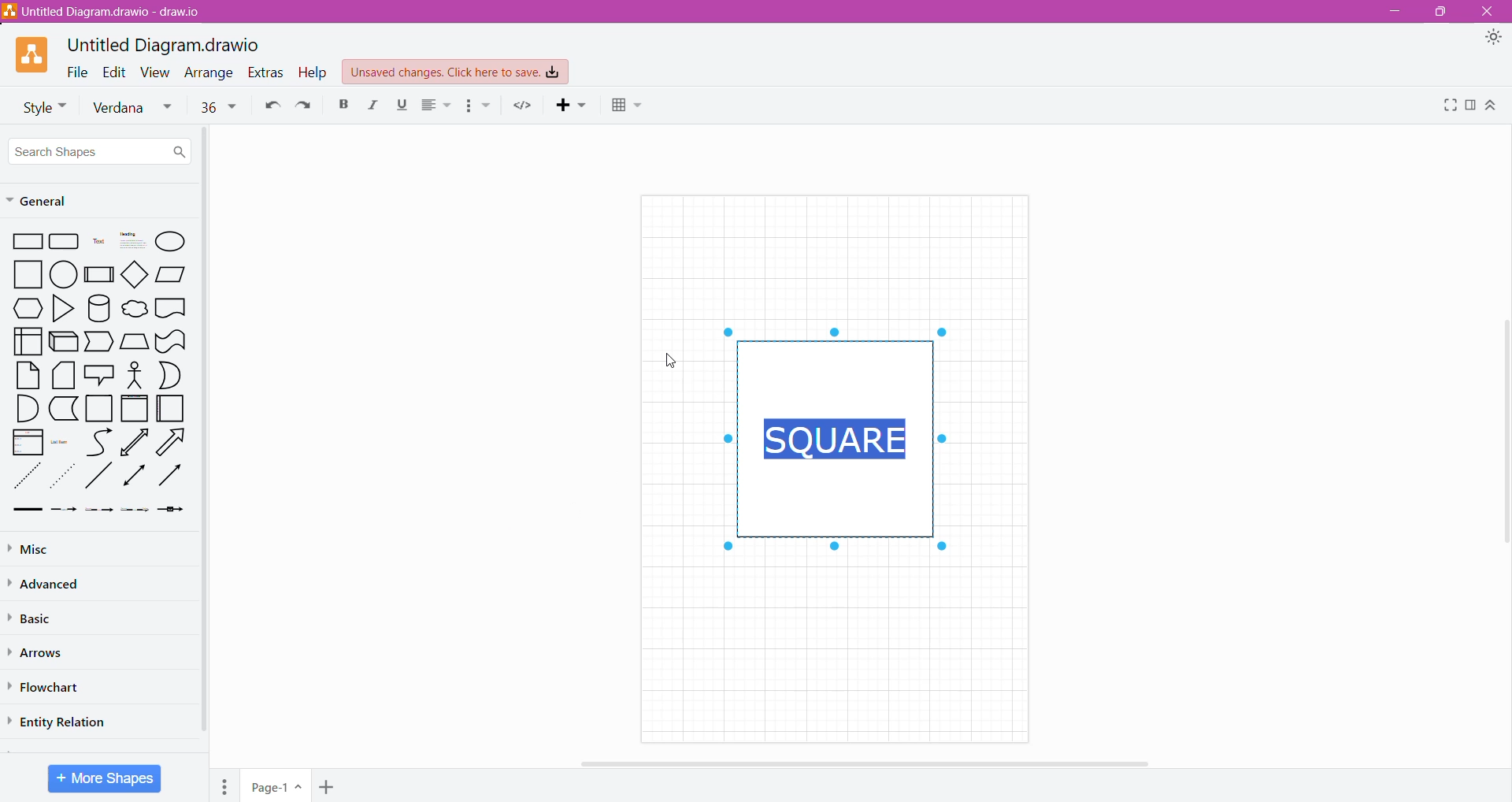  What do you see at coordinates (24, 444) in the screenshot?
I see `List box` at bounding box center [24, 444].